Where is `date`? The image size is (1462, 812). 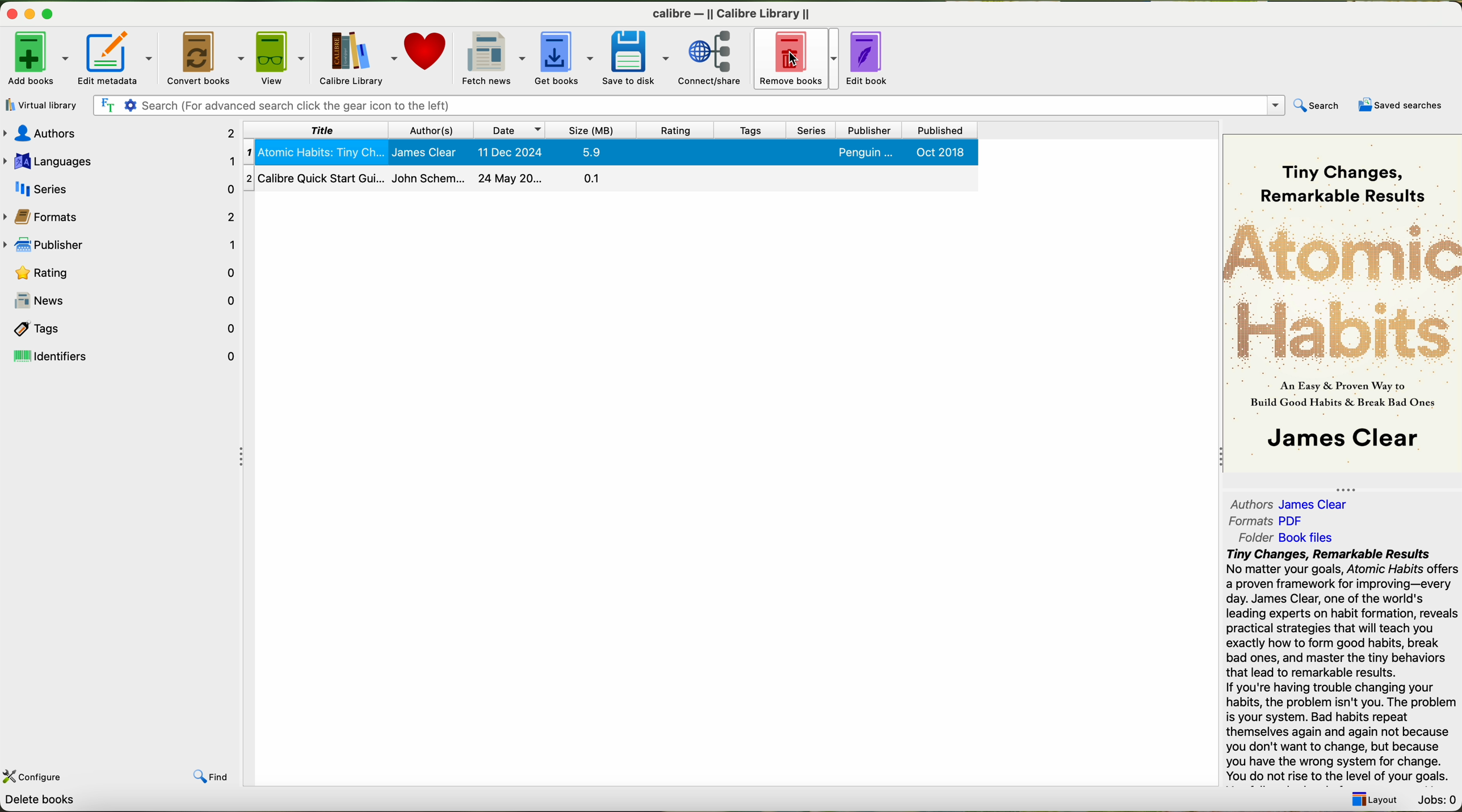 date is located at coordinates (510, 129).